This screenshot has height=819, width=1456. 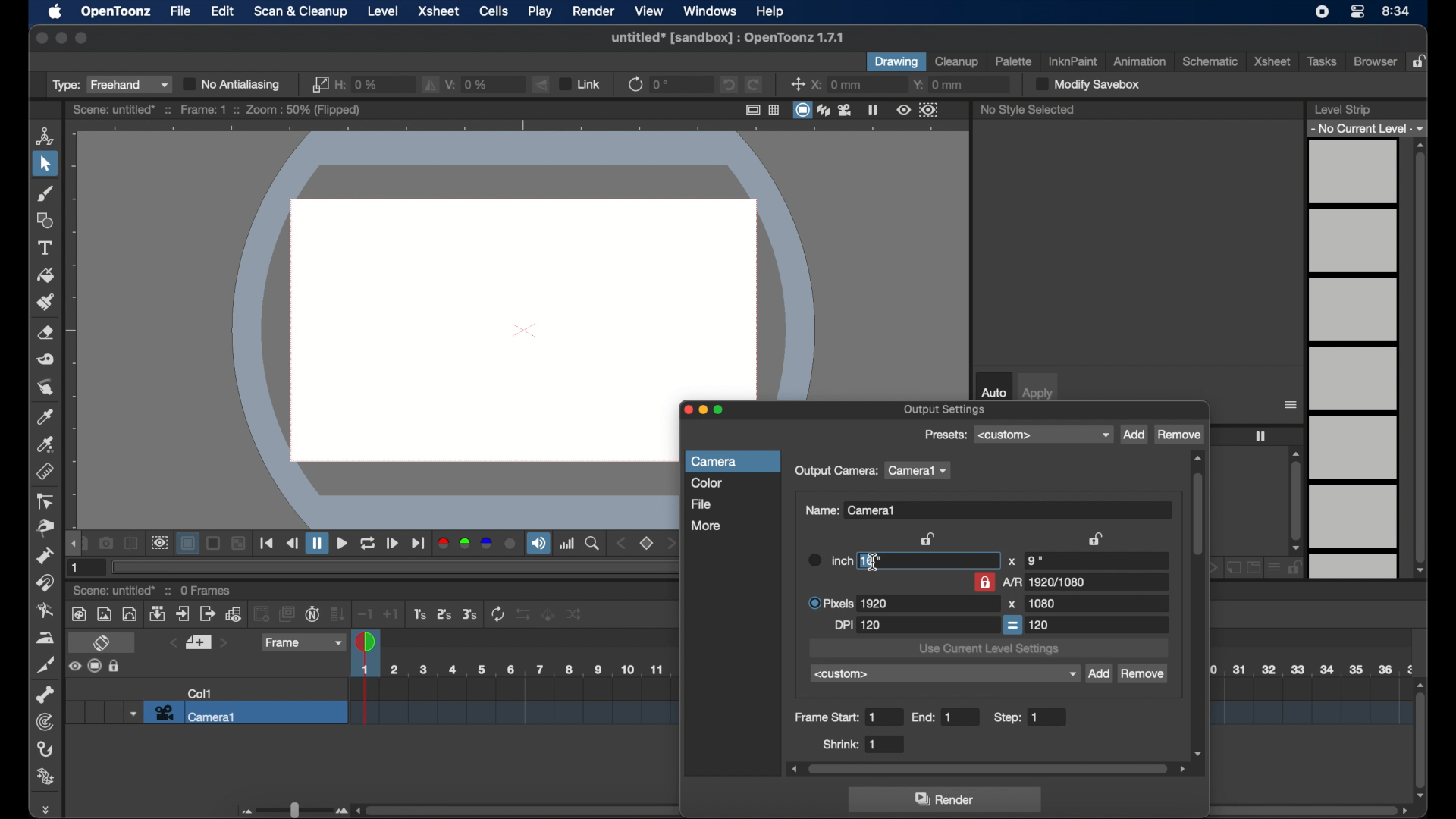 What do you see at coordinates (849, 603) in the screenshot?
I see `pixels` at bounding box center [849, 603].